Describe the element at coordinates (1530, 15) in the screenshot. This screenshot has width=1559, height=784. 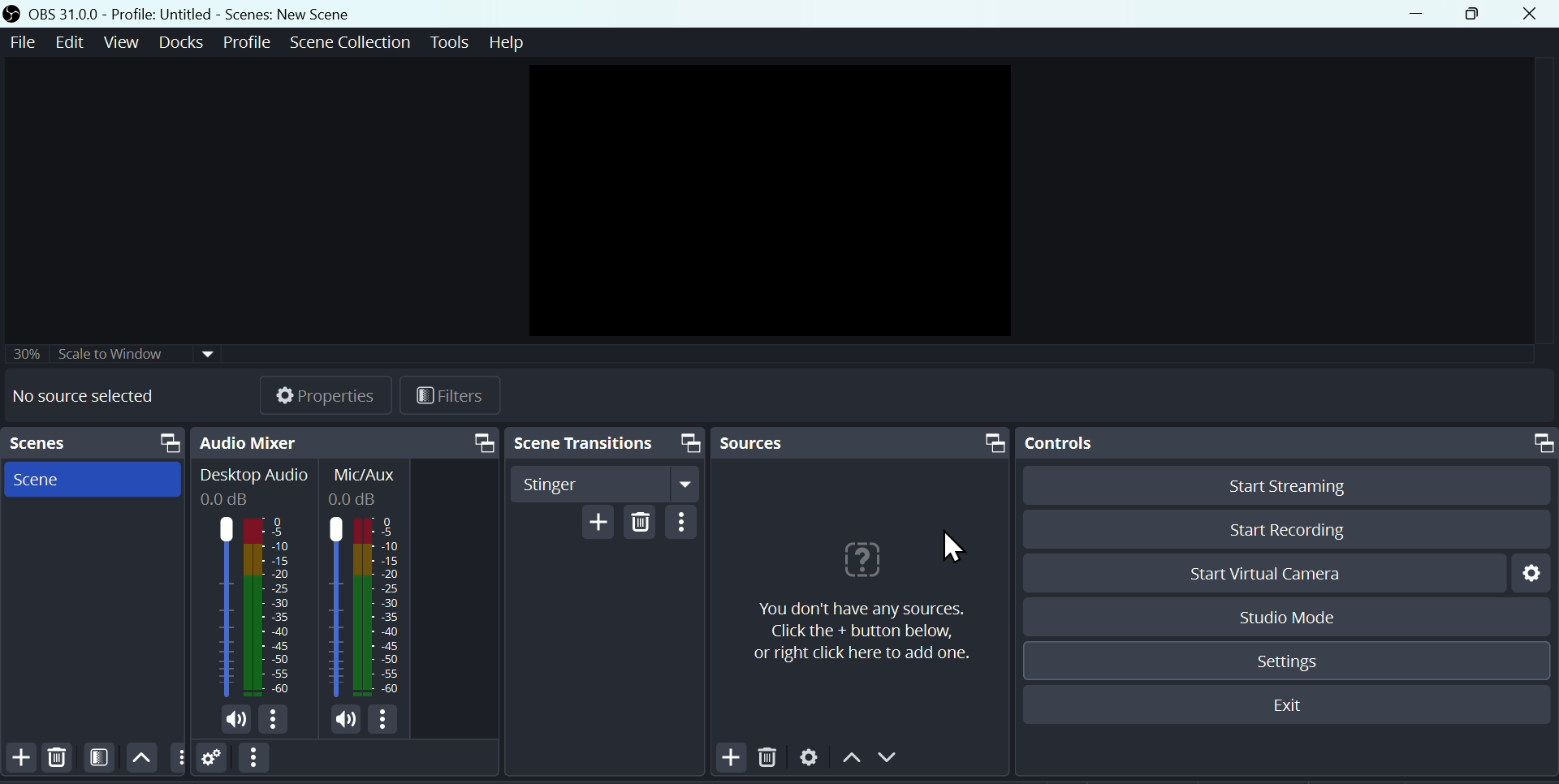
I see `Close` at that location.